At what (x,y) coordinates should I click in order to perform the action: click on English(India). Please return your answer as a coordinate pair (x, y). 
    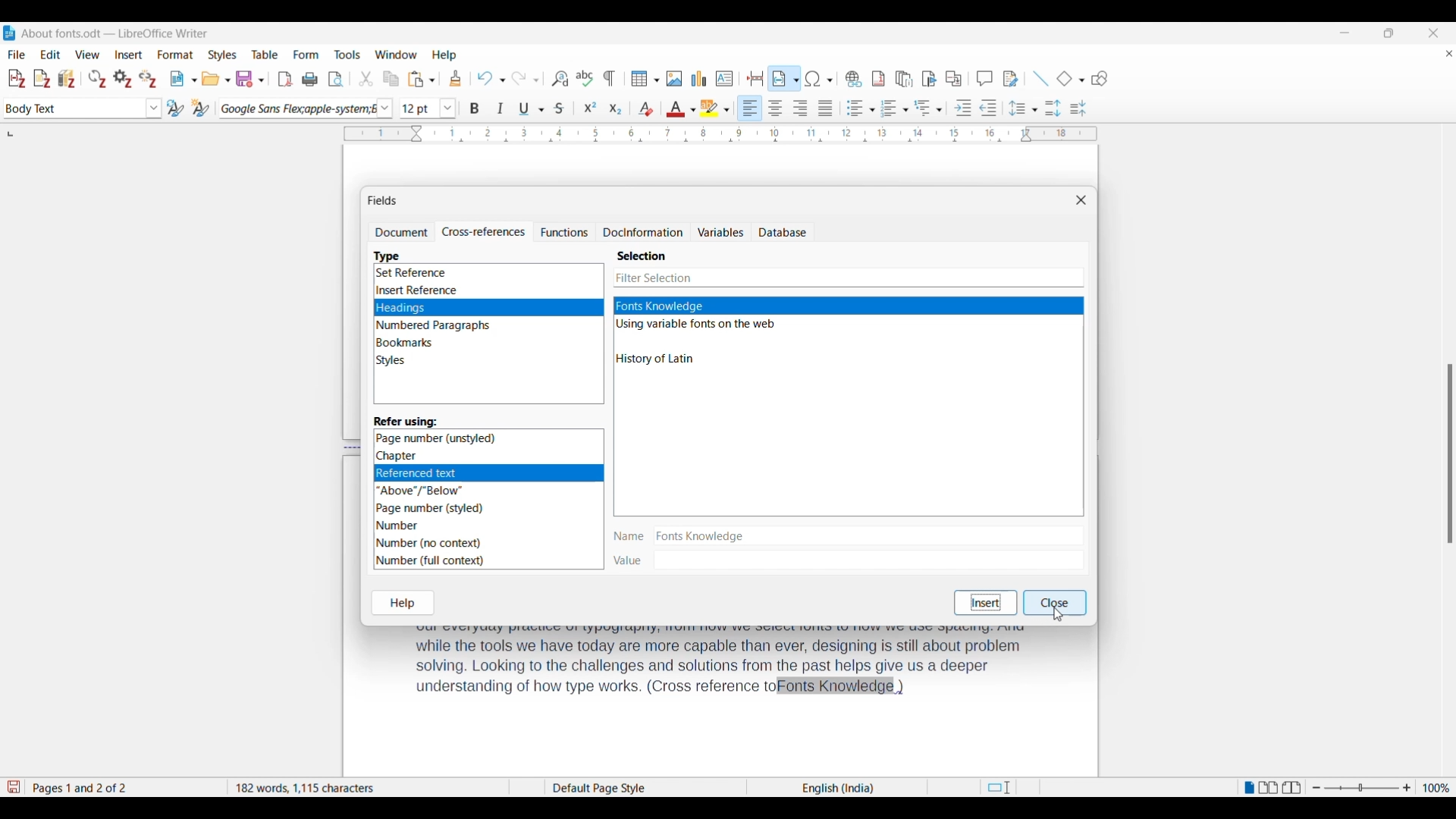
    Looking at the image, I should click on (825, 788).